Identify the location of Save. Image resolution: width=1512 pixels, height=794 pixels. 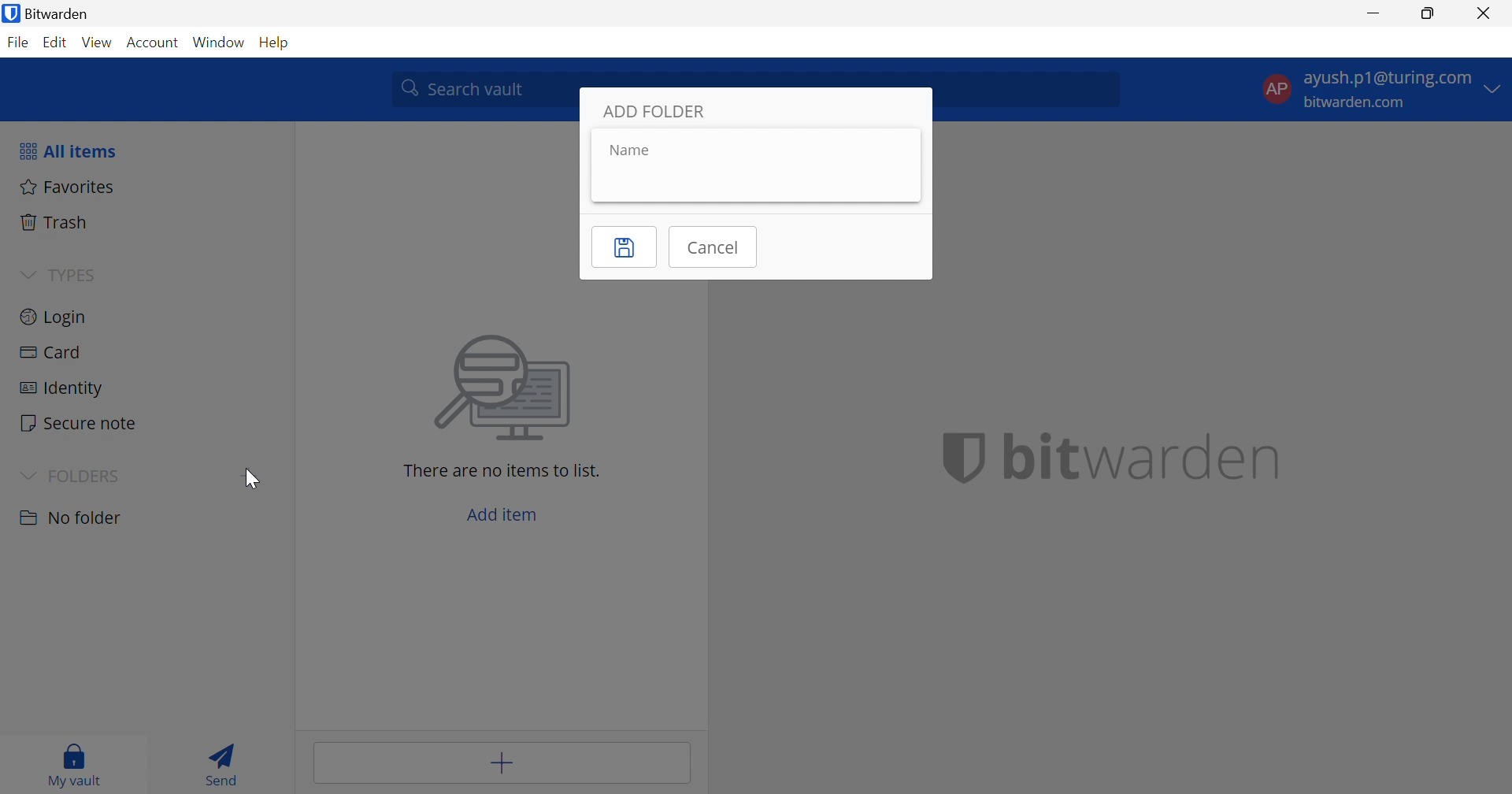
(629, 247).